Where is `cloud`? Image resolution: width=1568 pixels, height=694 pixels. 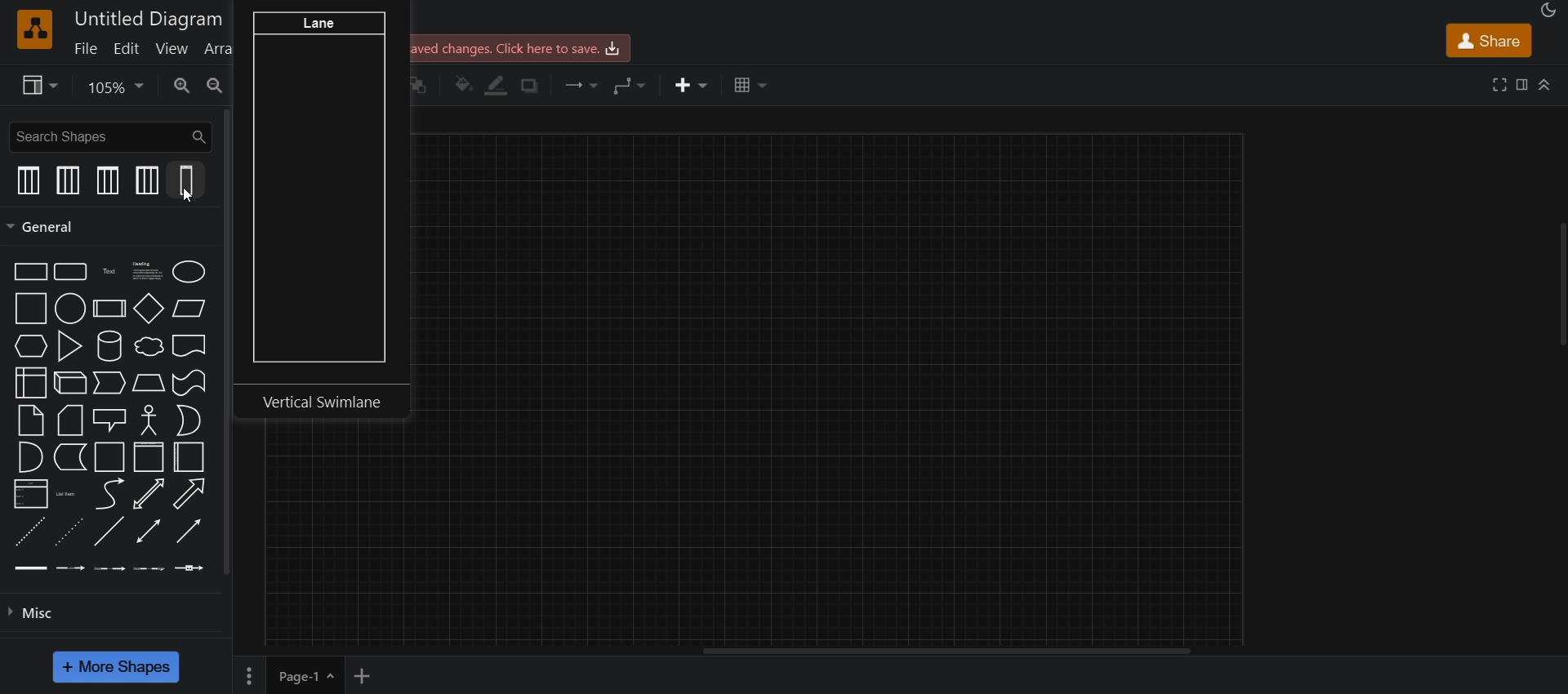 cloud is located at coordinates (147, 347).